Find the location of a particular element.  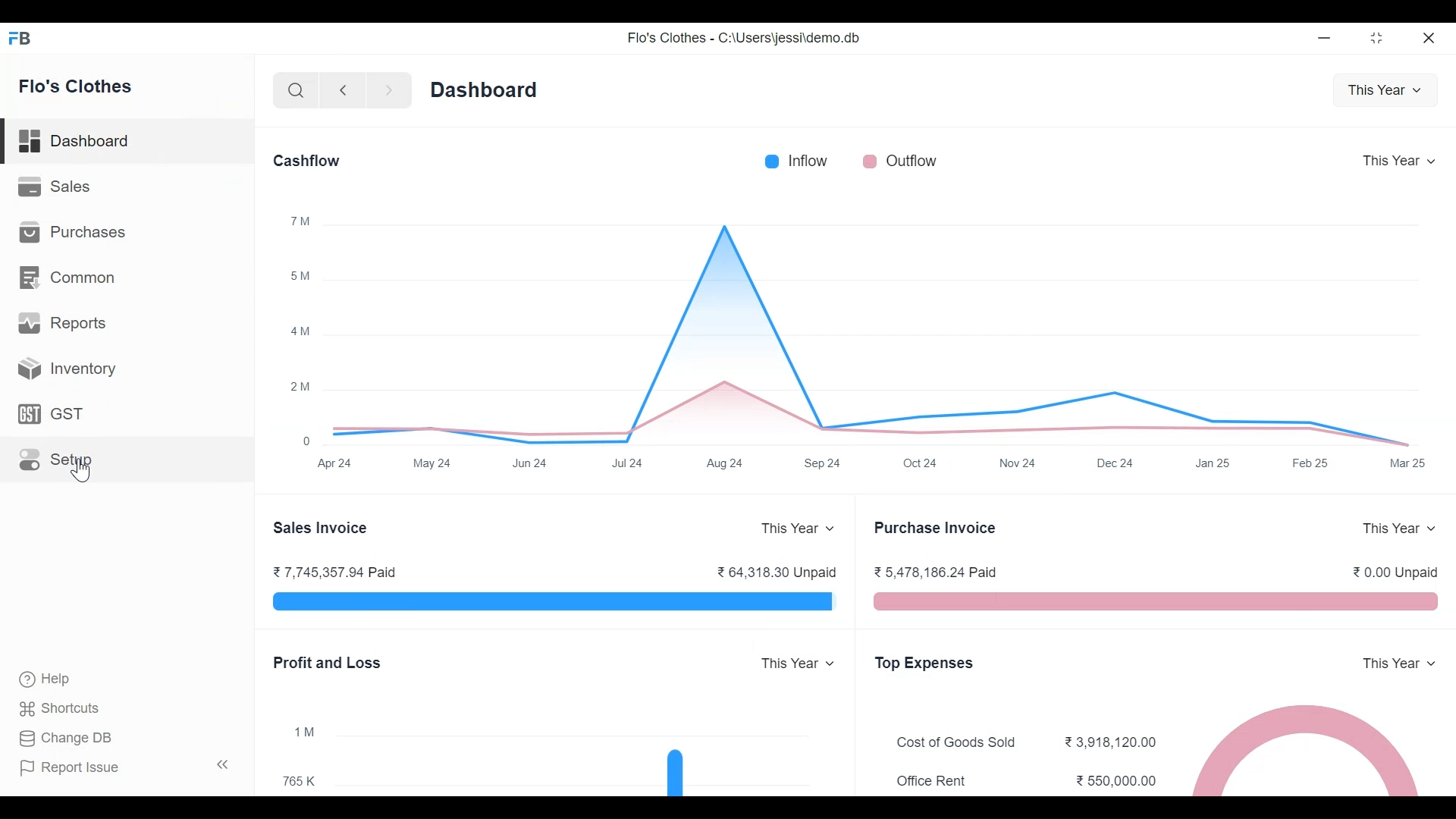

Jul 24 is located at coordinates (631, 466).